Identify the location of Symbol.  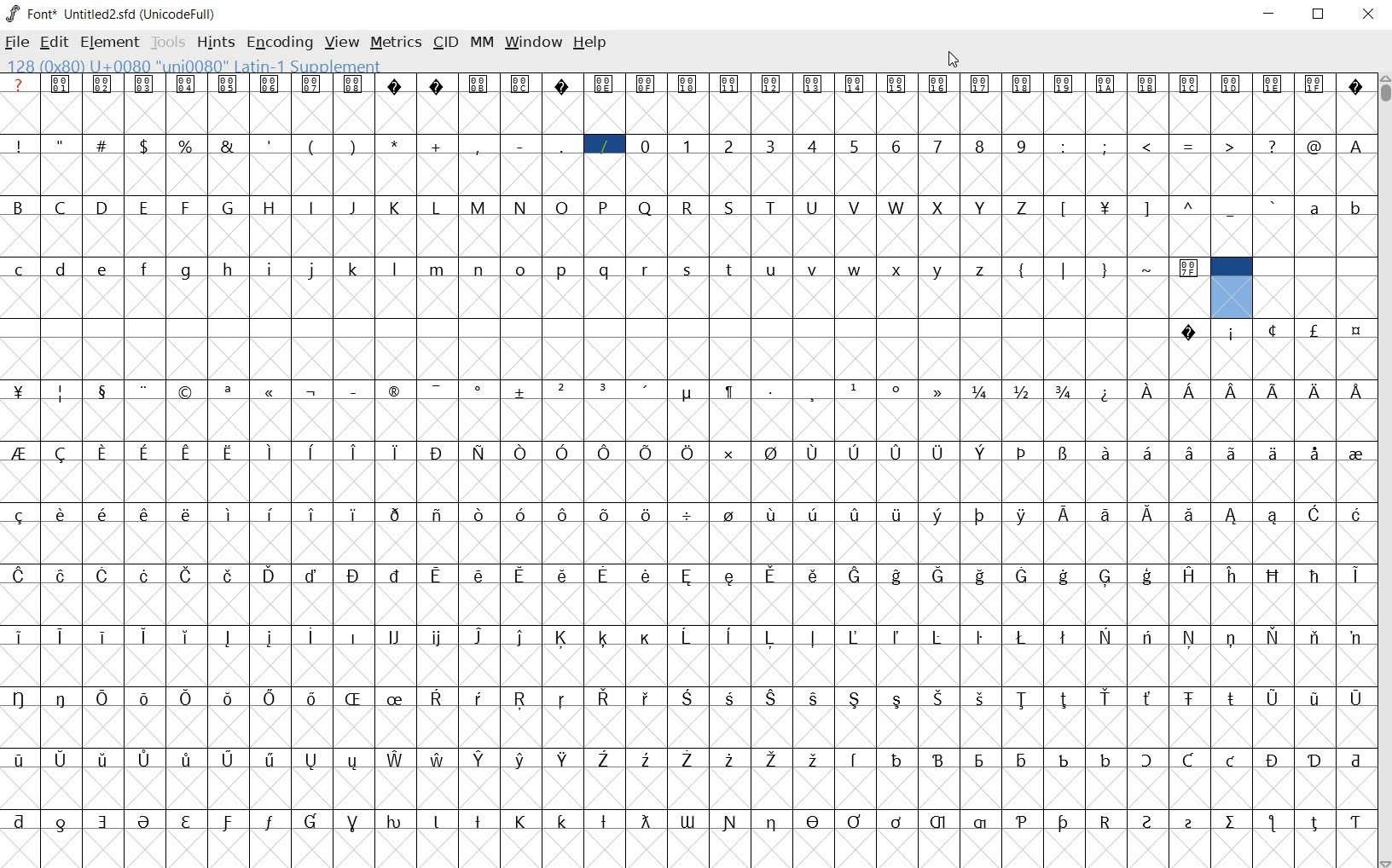
(603, 638).